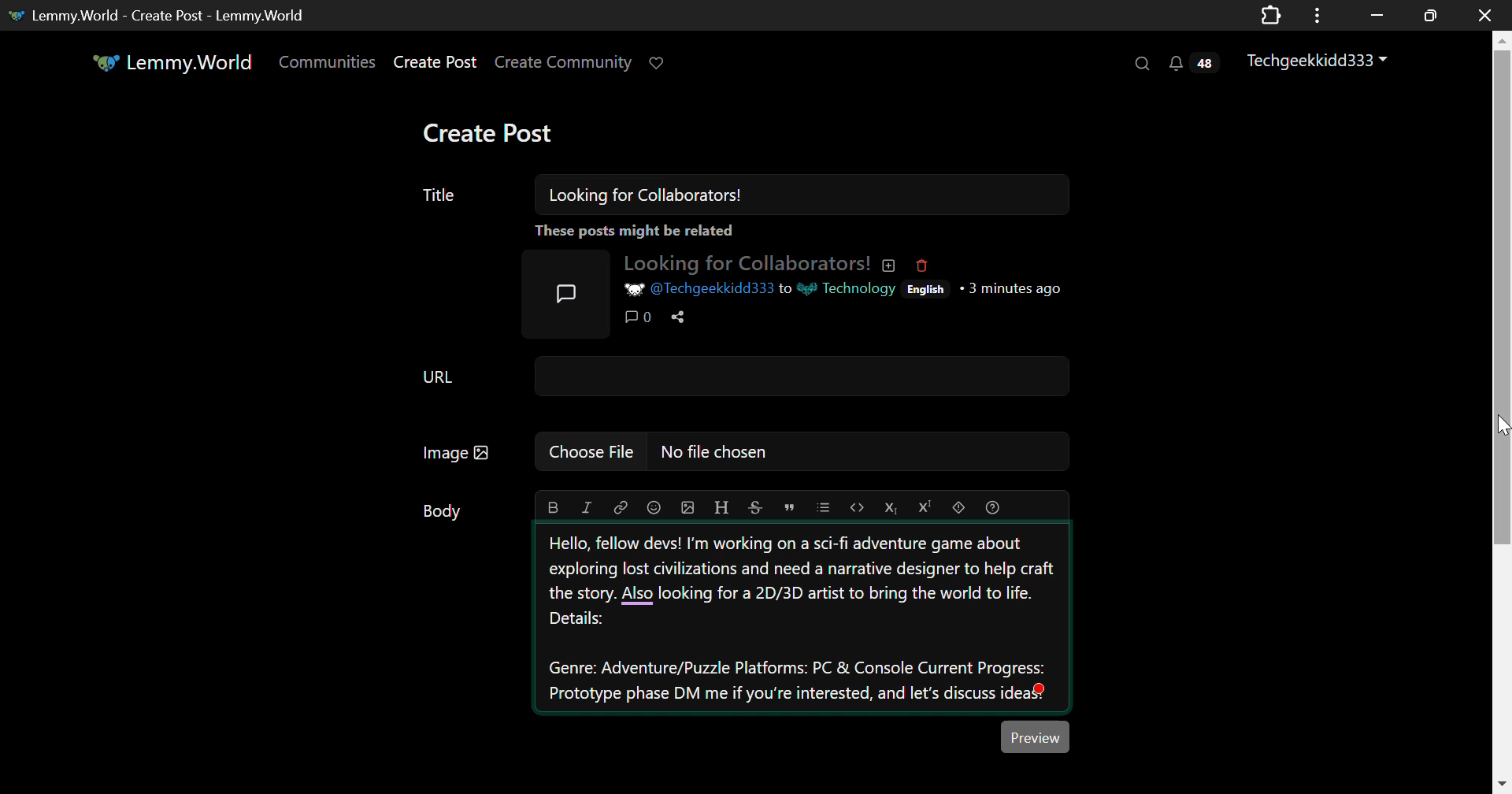  What do you see at coordinates (491, 132) in the screenshot?
I see `Create Post ` at bounding box center [491, 132].